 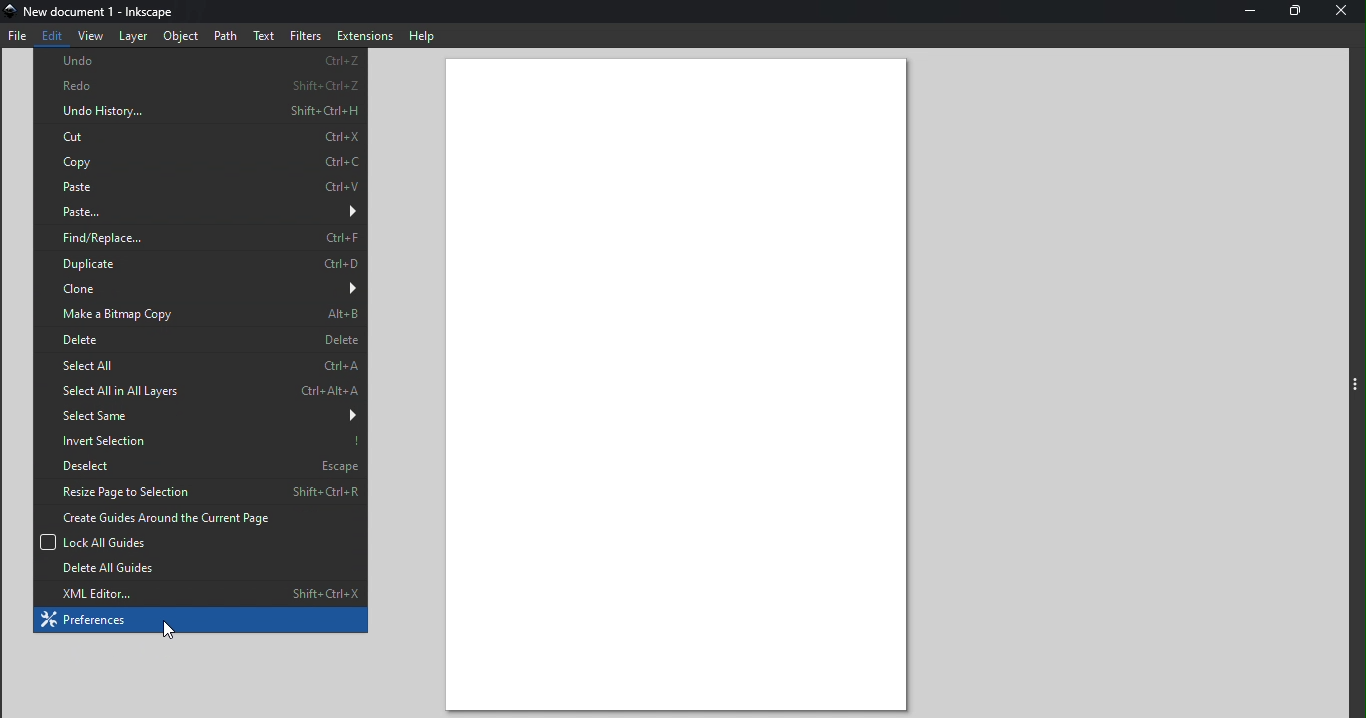 What do you see at coordinates (177, 37) in the screenshot?
I see `Object` at bounding box center [177, 37].